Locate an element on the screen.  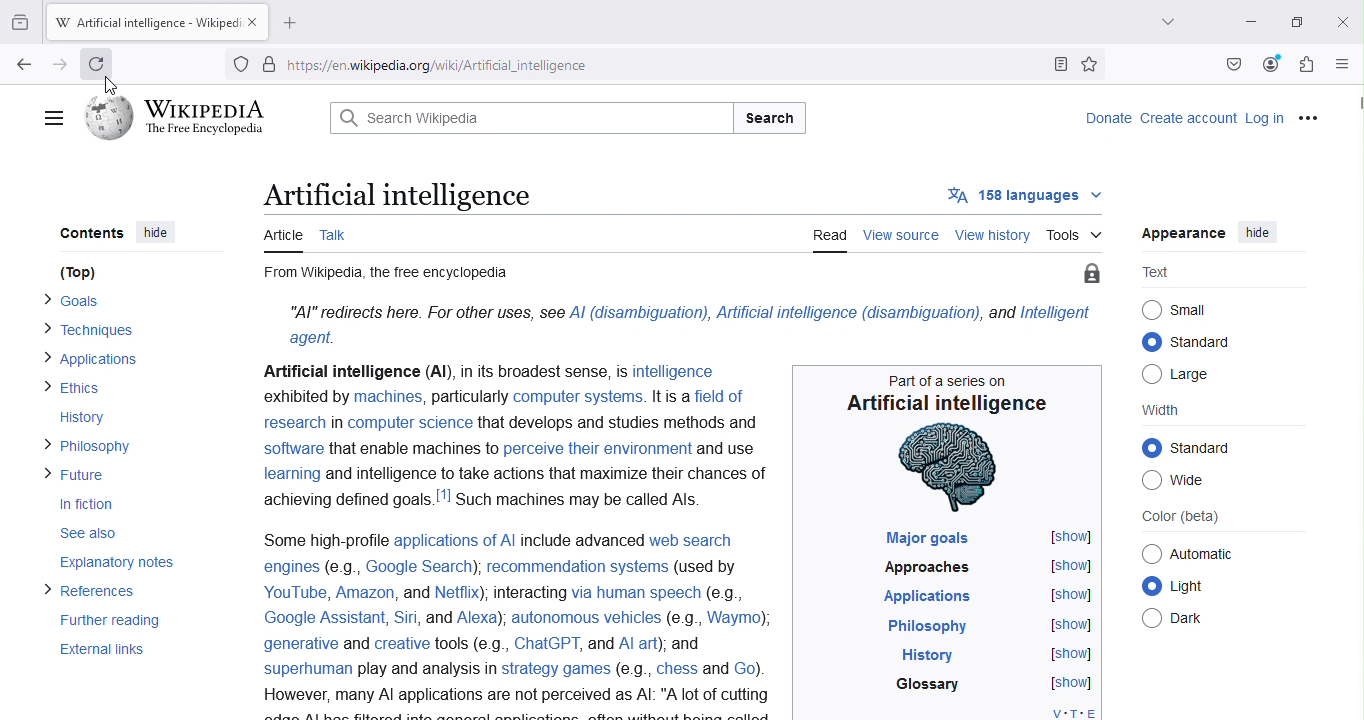
WIKIPEDIA The Free Encyclopedia is located at coordinates (209, 115).